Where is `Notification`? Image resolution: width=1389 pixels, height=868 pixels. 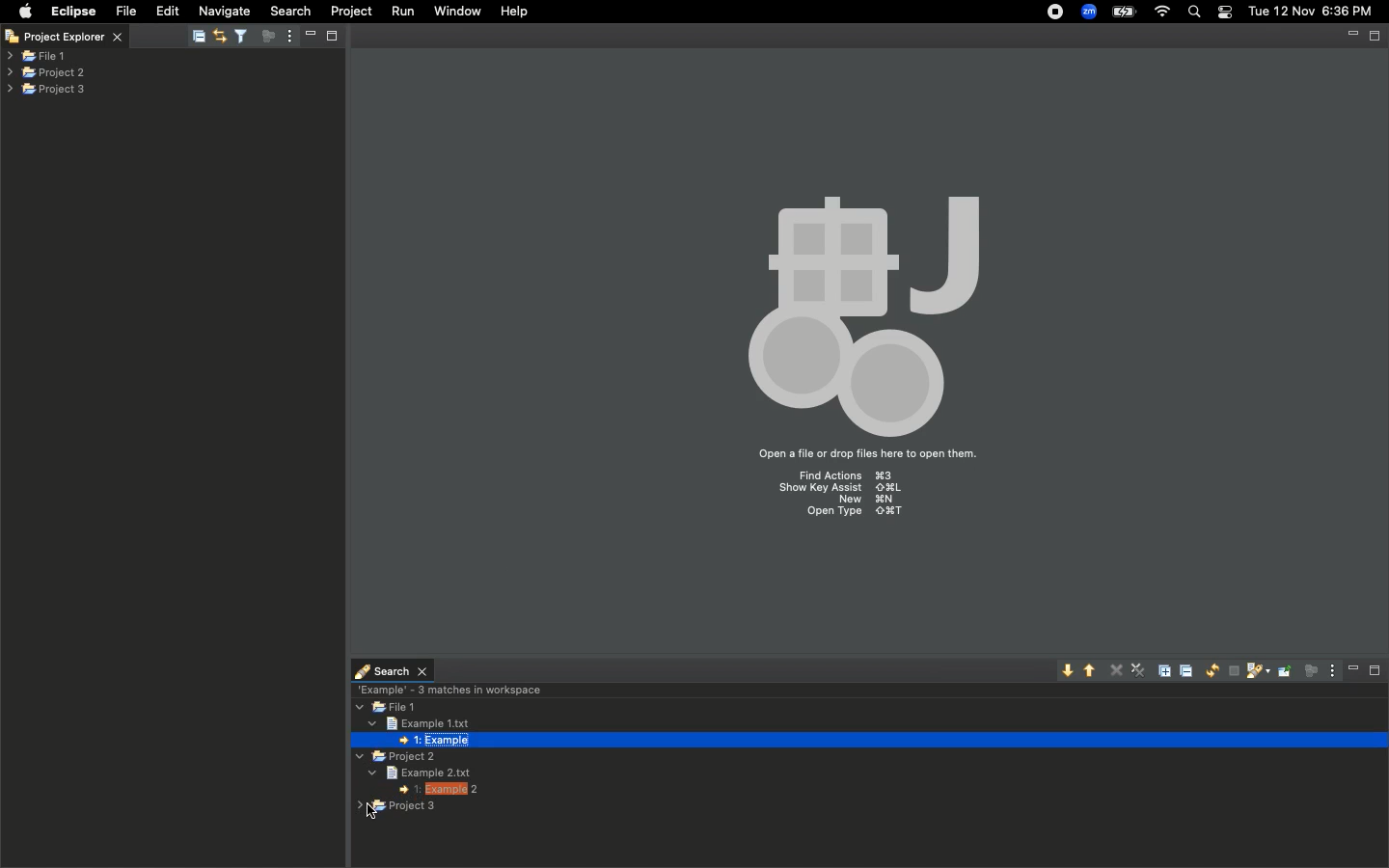 Notification is located at coordinates (1224, 13).